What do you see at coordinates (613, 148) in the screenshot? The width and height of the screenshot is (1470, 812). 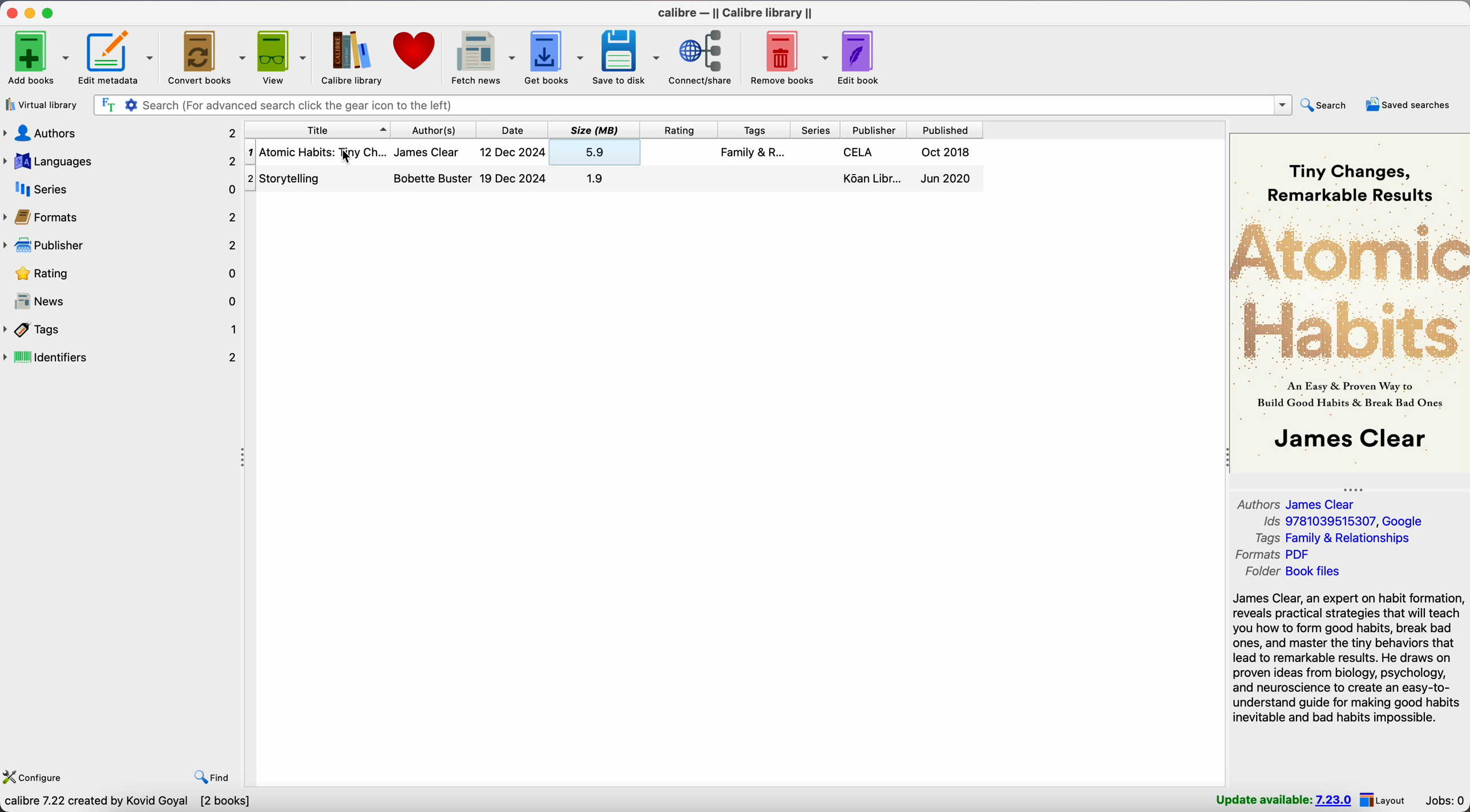 I see `Atomic Habits: Tiny Changes` at bounding box center [613, 148].